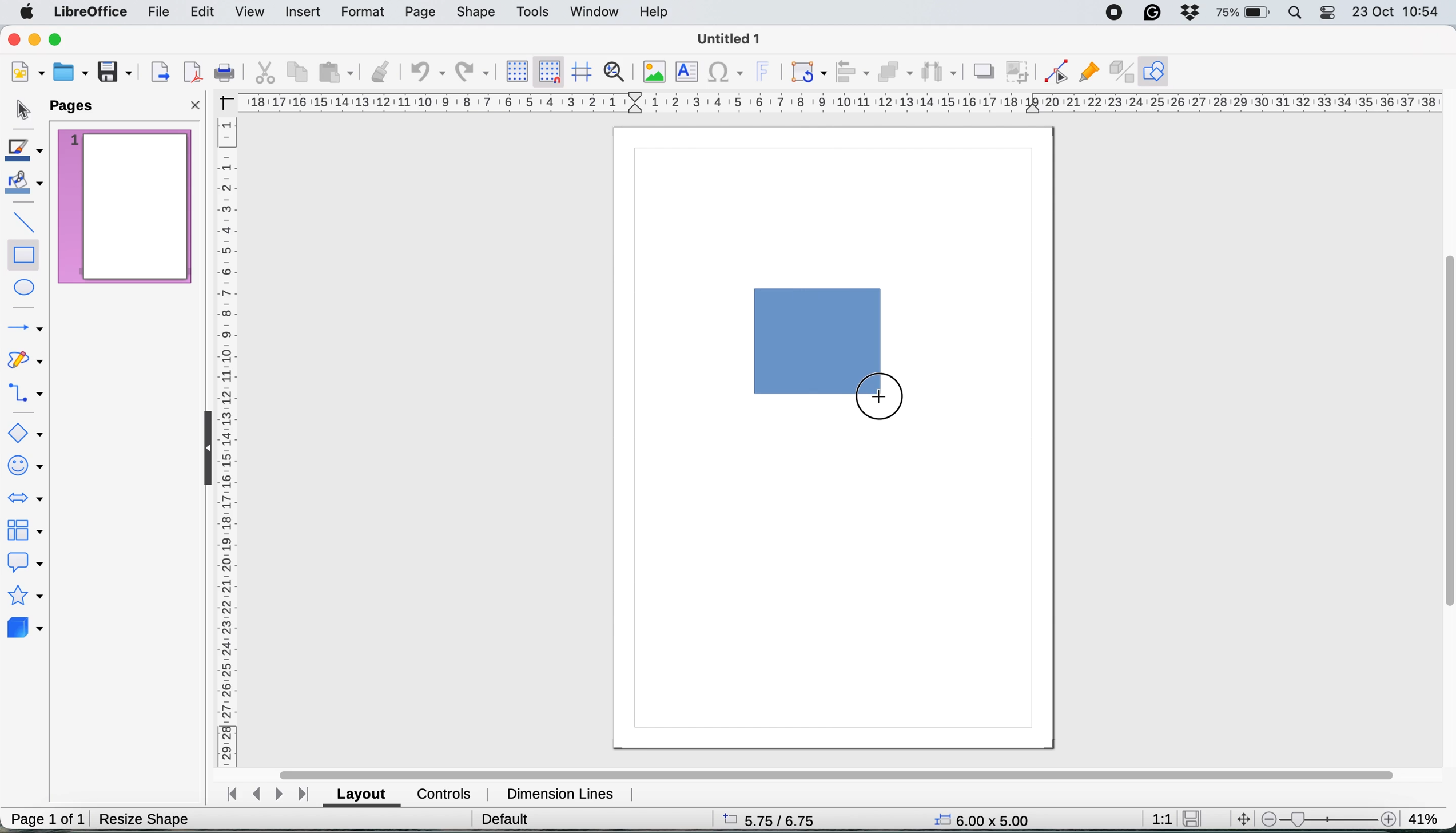 The height and width of the screenshot is (833, 1456). What do you see at coordinates (1245, 13) in the screenshot?
I see `battery` at bounding box center [1245, 13].